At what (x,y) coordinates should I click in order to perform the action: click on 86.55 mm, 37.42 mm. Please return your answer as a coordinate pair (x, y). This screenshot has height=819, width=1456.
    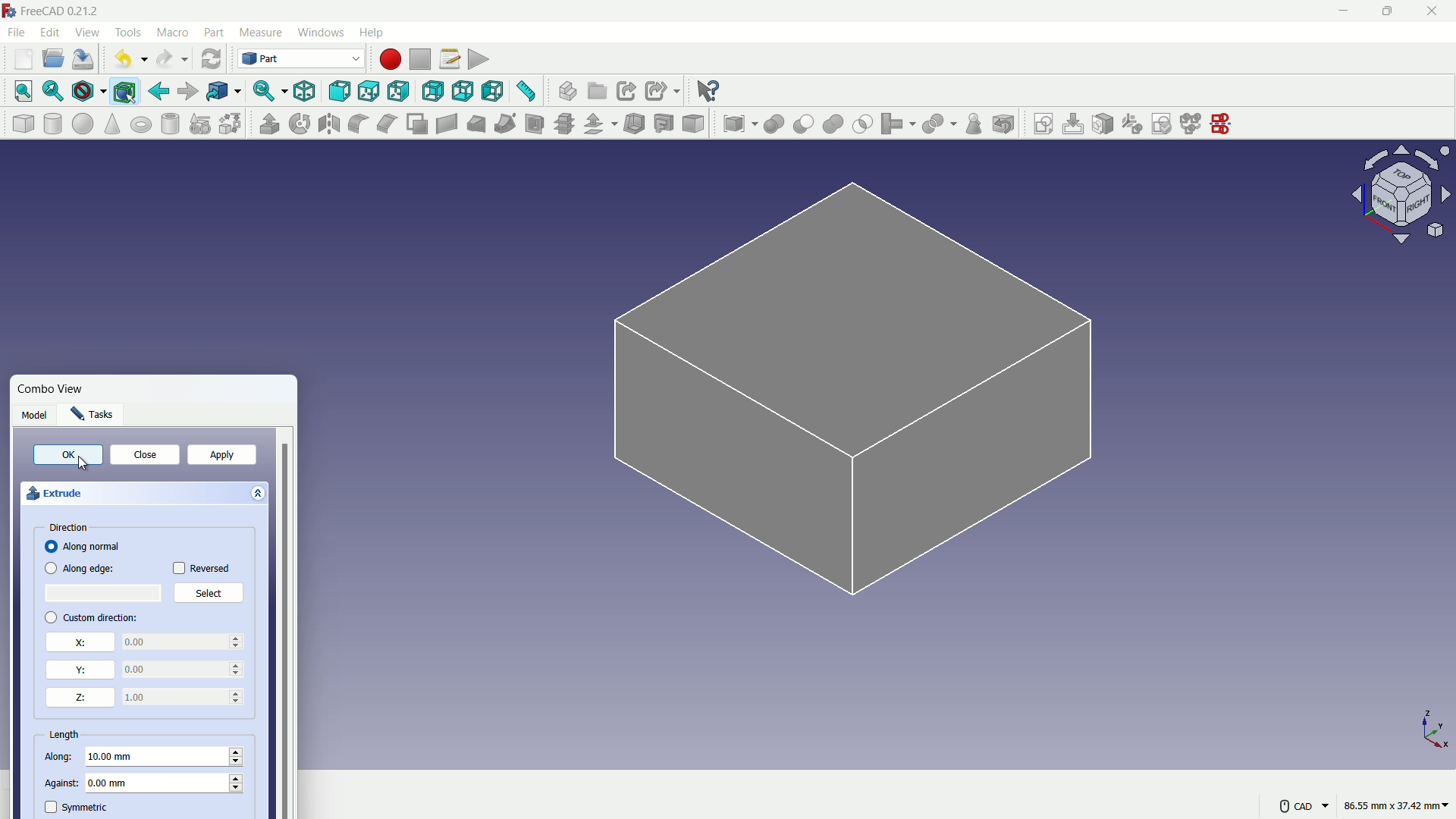
    Looking at the image, I should click on (1397, 805).